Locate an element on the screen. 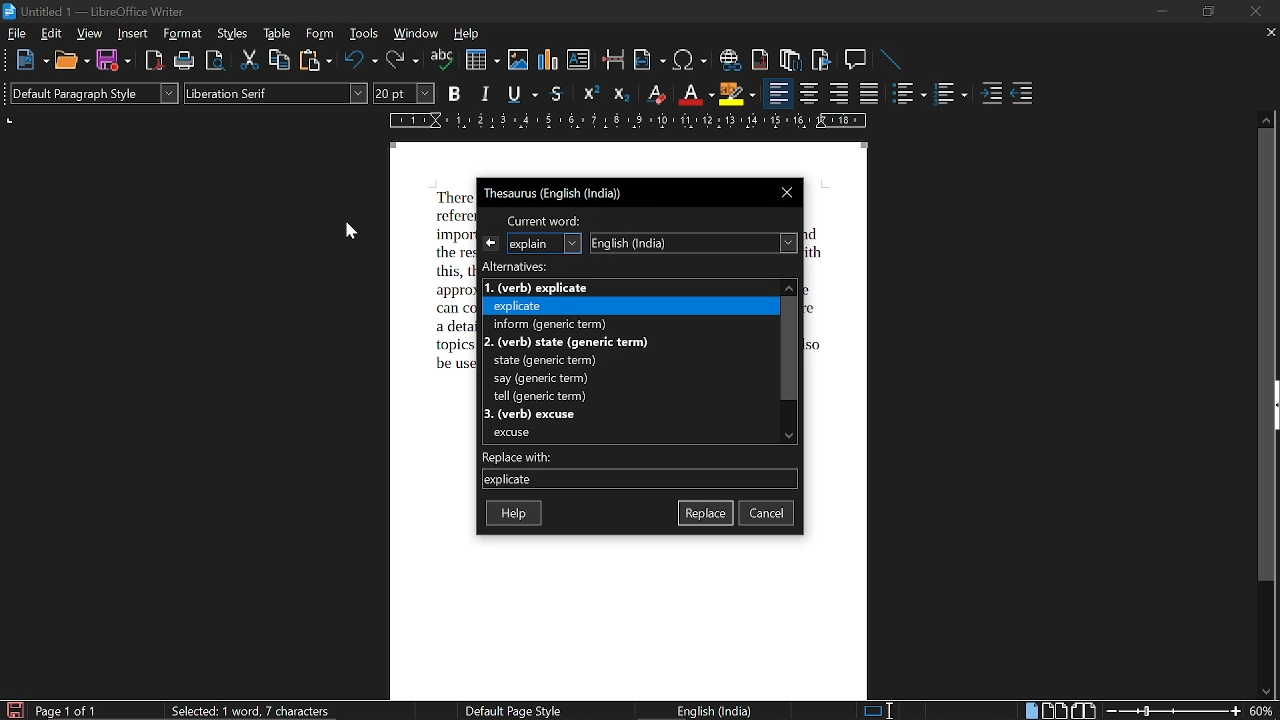  move down is located at coordinates (789, 435).